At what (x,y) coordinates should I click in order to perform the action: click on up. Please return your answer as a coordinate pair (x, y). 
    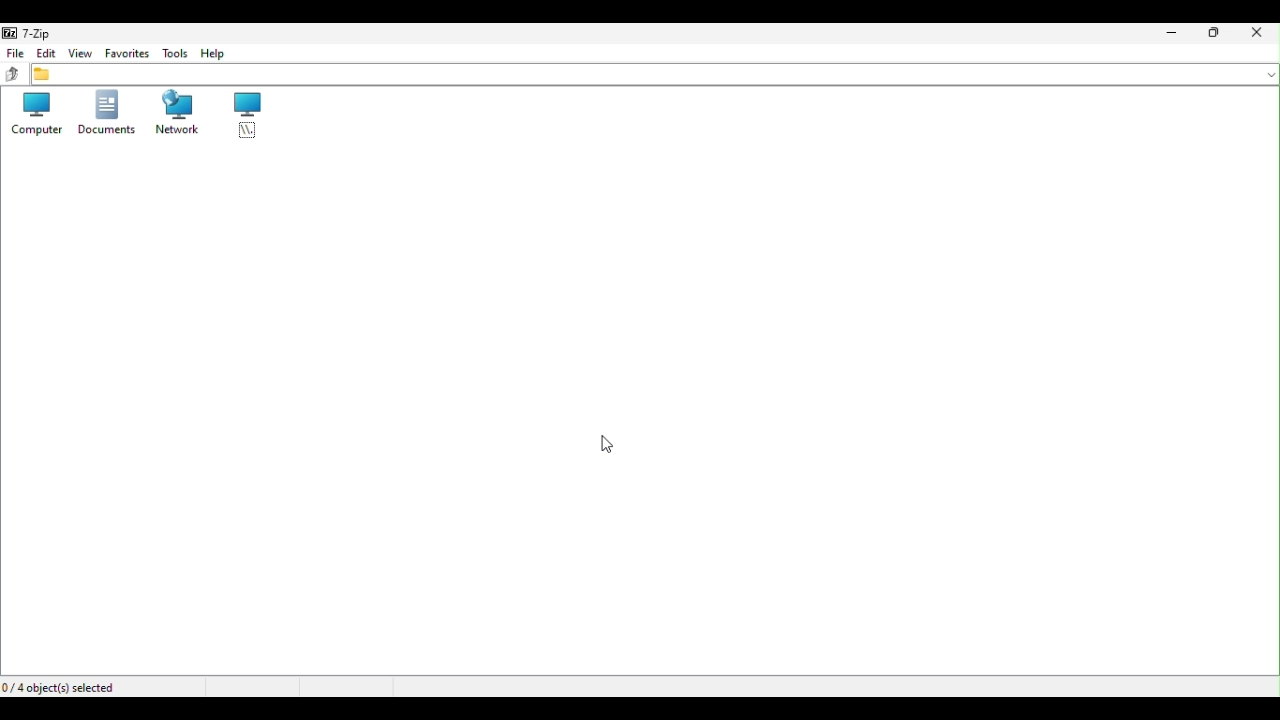
    Looking at the image, I should click on (11, 73).